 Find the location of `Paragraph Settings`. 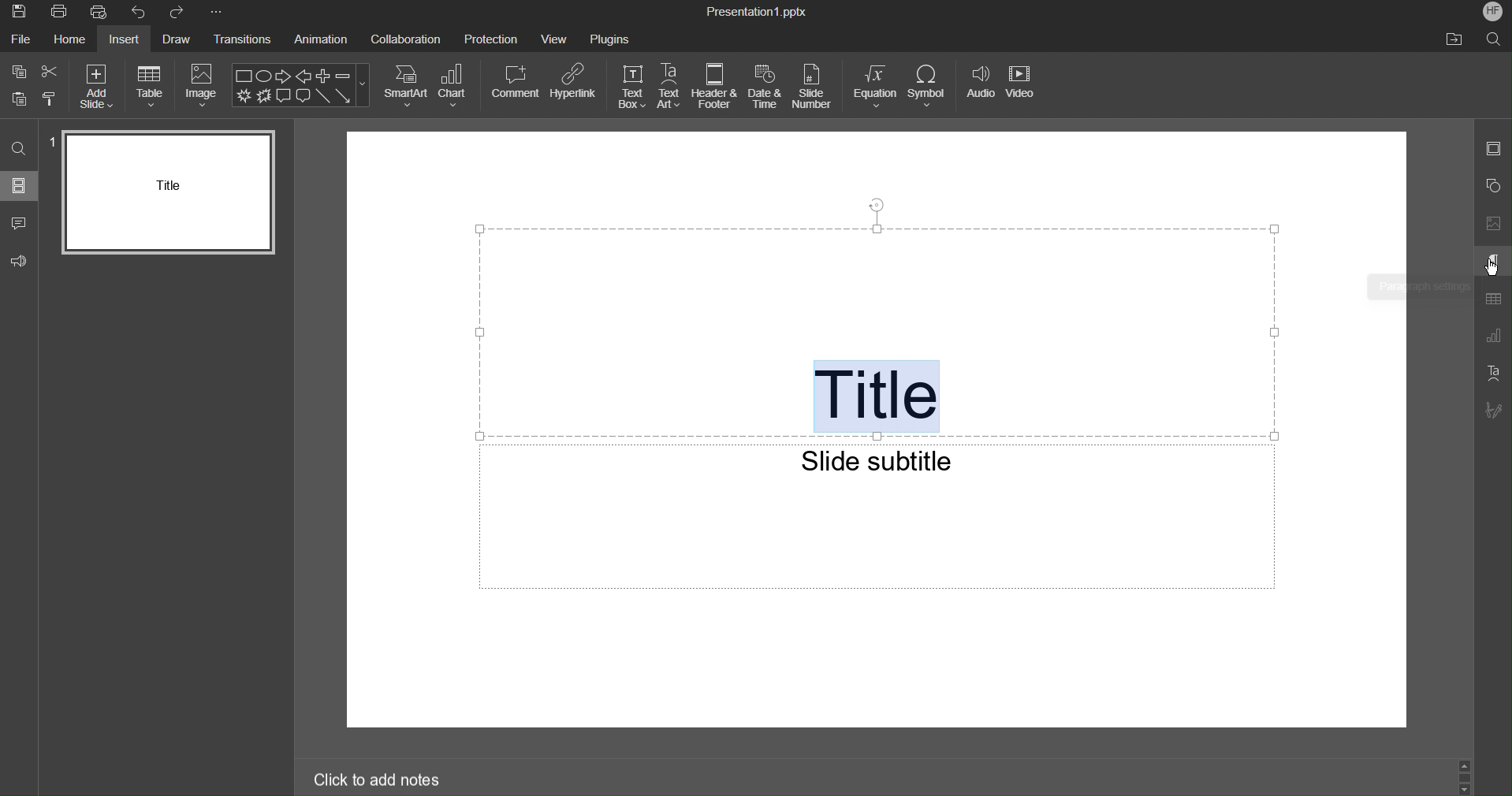

Paragraph Settings is located at coordinates (1492, 262).